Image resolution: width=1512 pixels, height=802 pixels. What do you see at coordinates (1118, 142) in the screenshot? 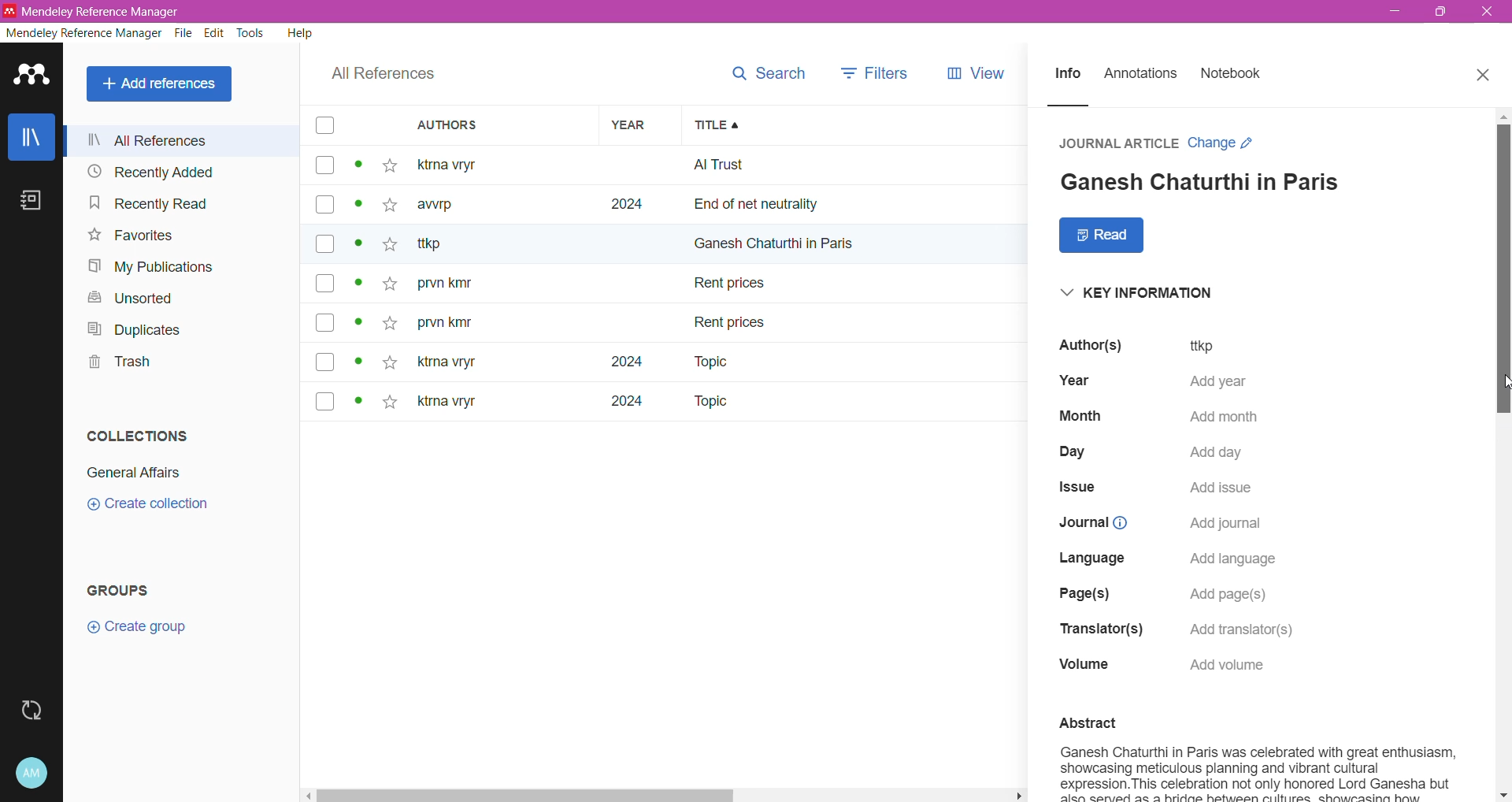
I see `Reference Item Type` at bounding box center [1118, 142].